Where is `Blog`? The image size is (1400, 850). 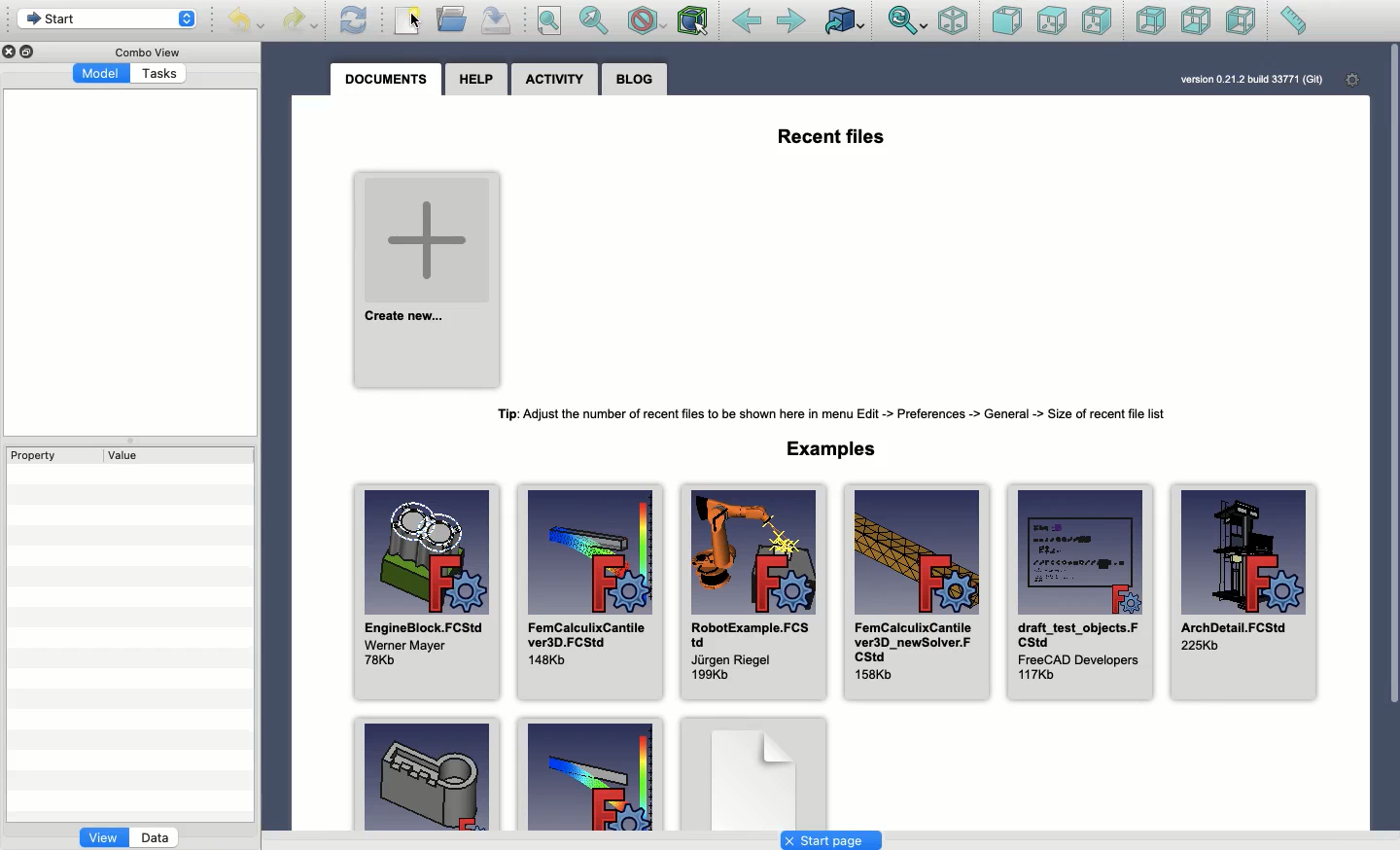
Blog is located at coordinates (634, 81).